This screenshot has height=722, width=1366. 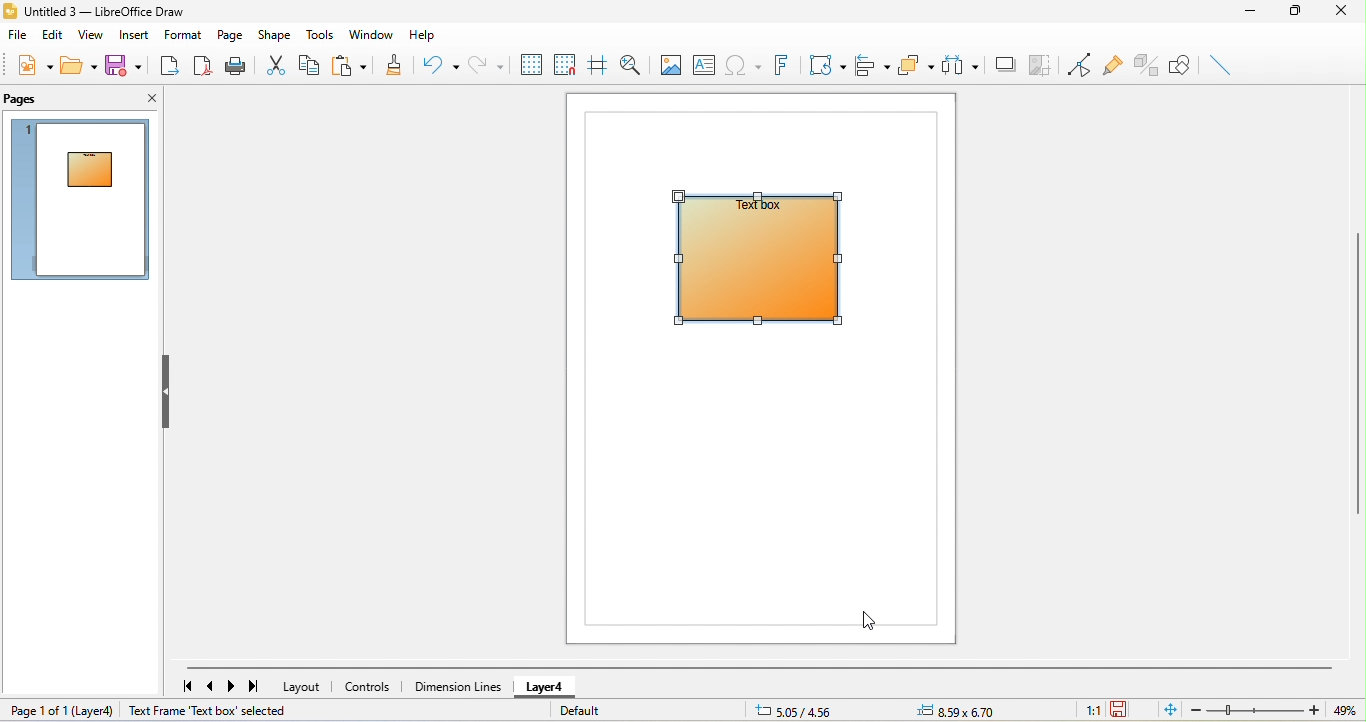 What do you see at coordinates (1296, 11) in the screenshot?
I see `maximize` at bounding box center [1296, 11].